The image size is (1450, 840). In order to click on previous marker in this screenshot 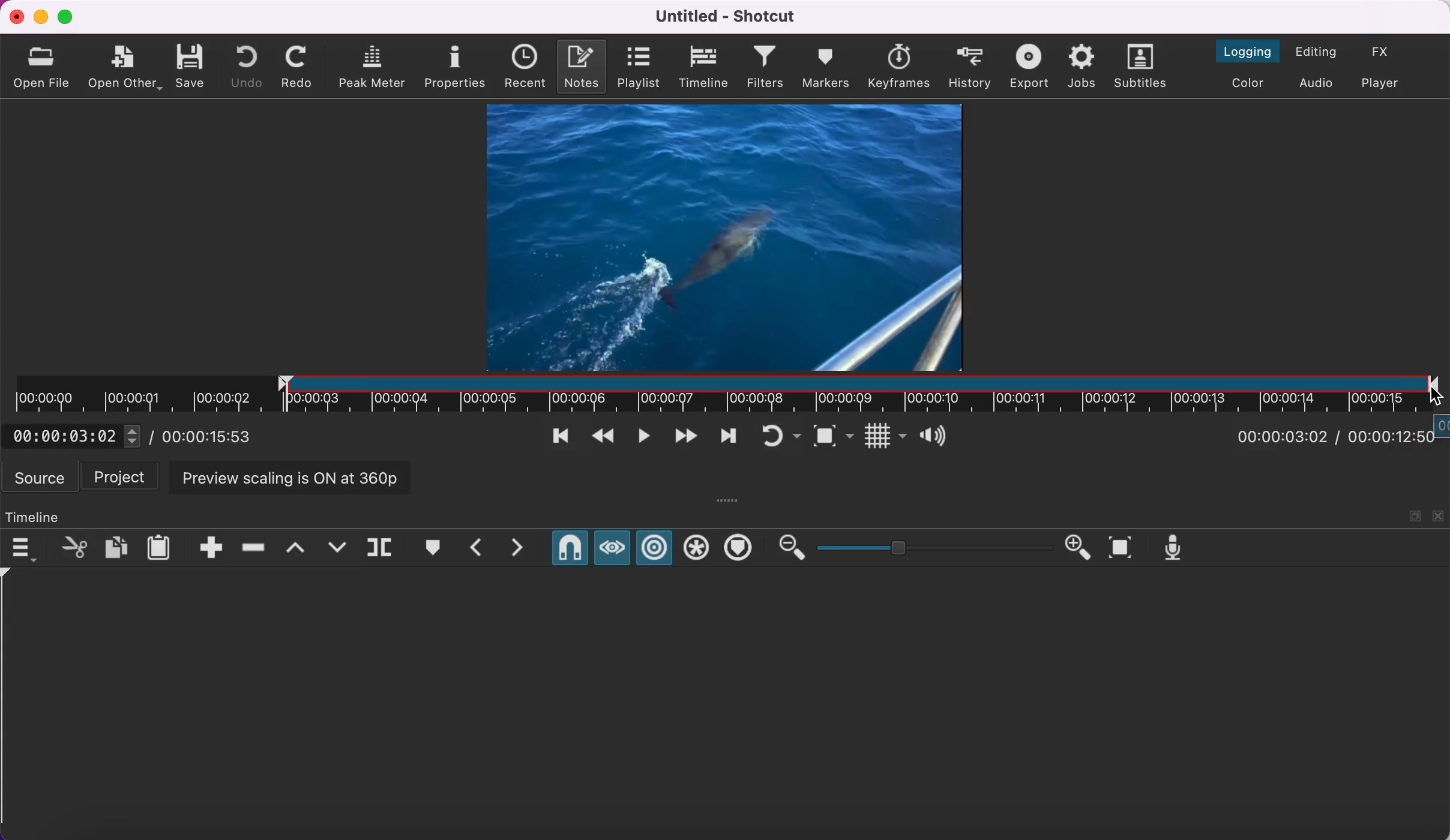, I will do `click(476, 547)`.